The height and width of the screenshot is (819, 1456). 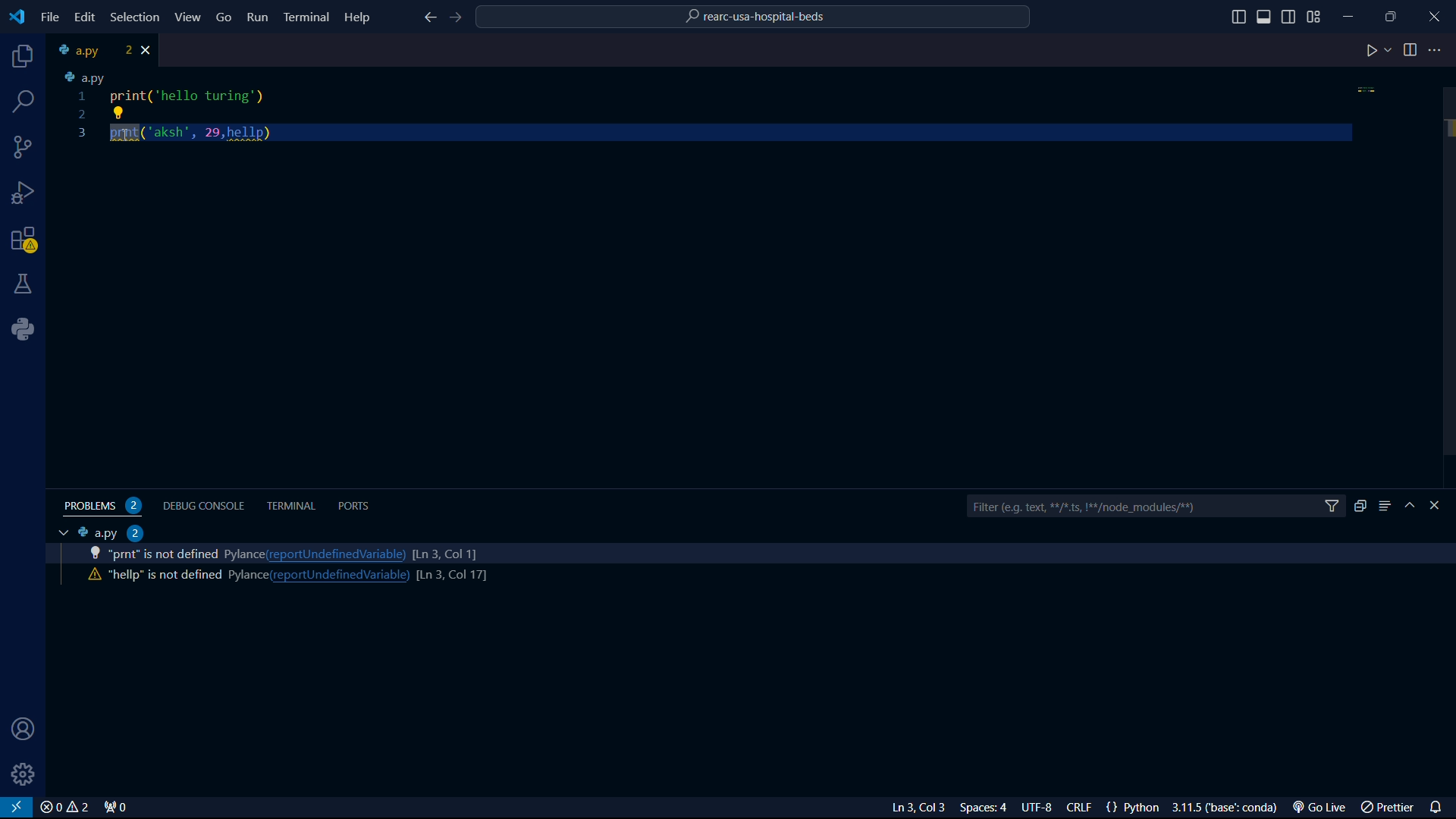 What do you see at coordinates (306, 16) in the screenshot?
I see `Terminal` at bounding box center [306, 16].